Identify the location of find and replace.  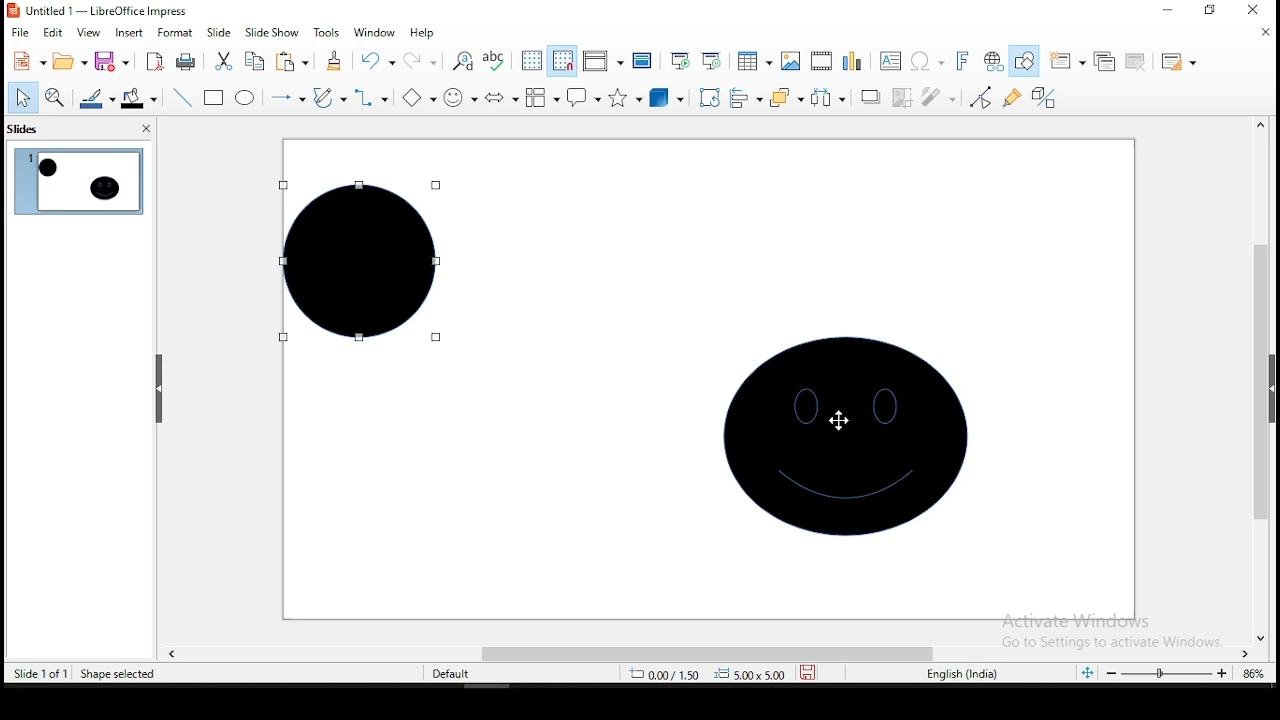
(463, 60).